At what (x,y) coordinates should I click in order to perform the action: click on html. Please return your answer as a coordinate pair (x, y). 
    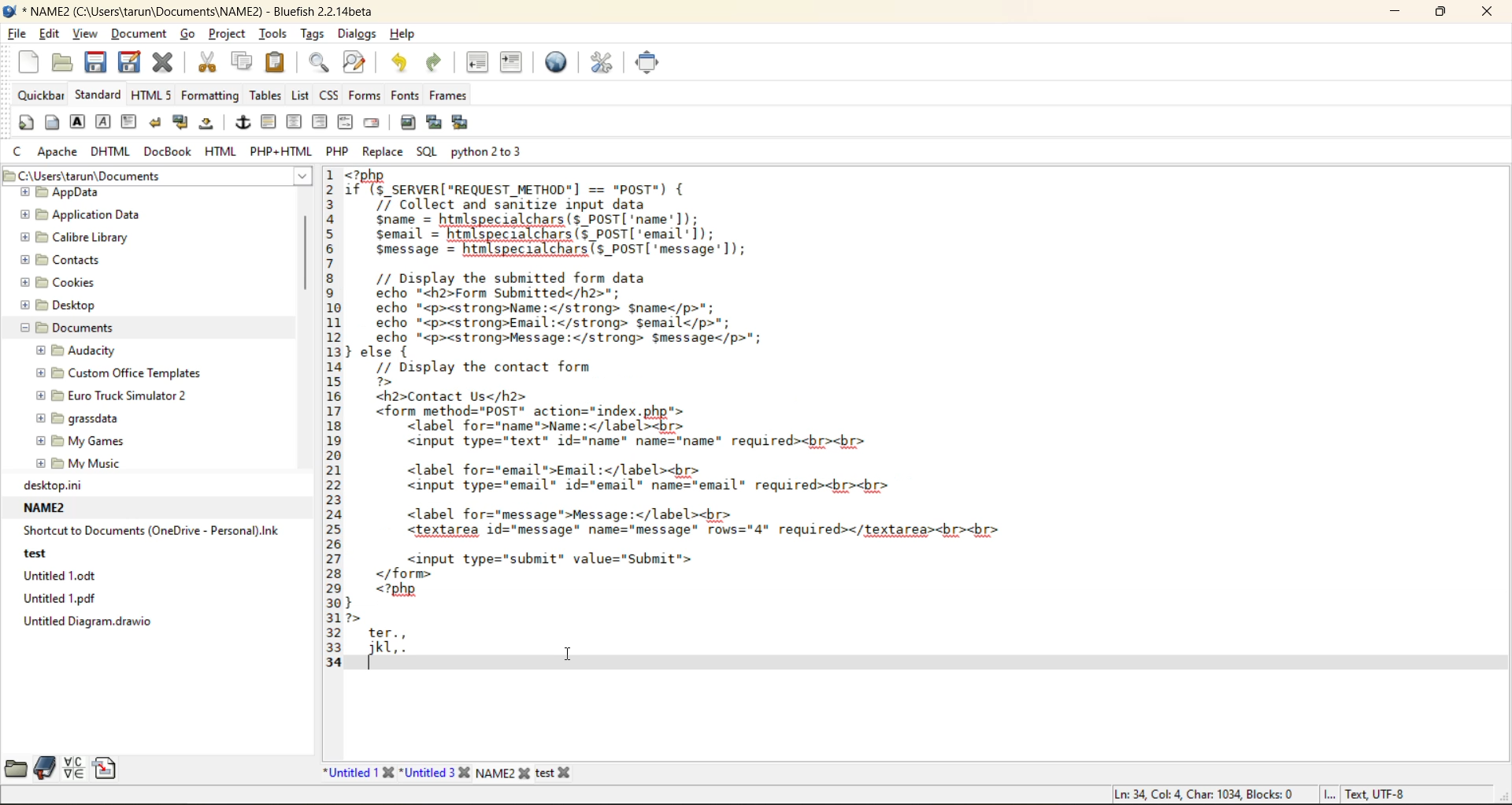
    Looking at the image, I should click on (224, 151).